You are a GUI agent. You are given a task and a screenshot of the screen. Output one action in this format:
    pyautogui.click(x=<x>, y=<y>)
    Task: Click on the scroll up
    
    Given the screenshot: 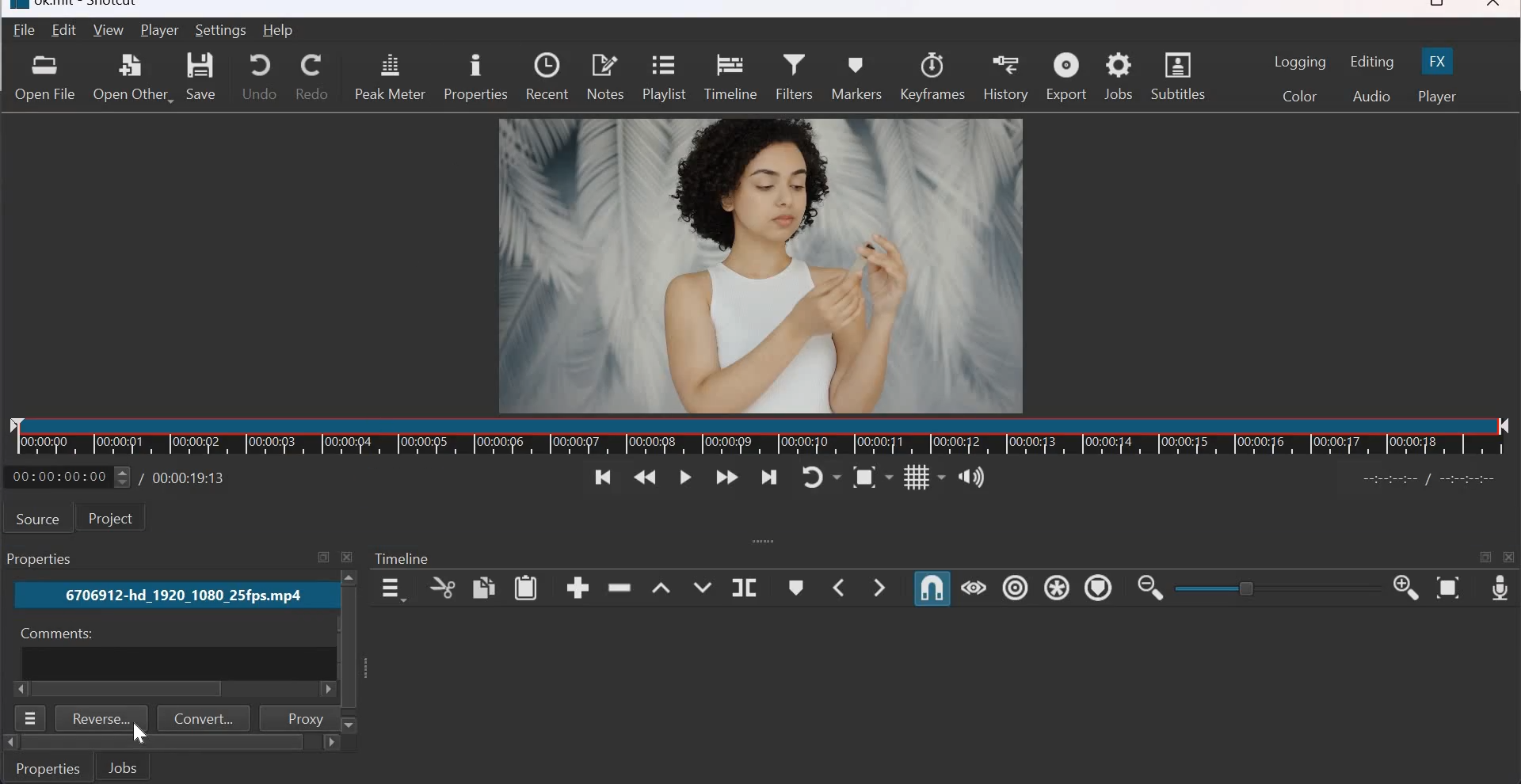 What is the action you would take?
    pyautogui.click(x=349, y=578)
    